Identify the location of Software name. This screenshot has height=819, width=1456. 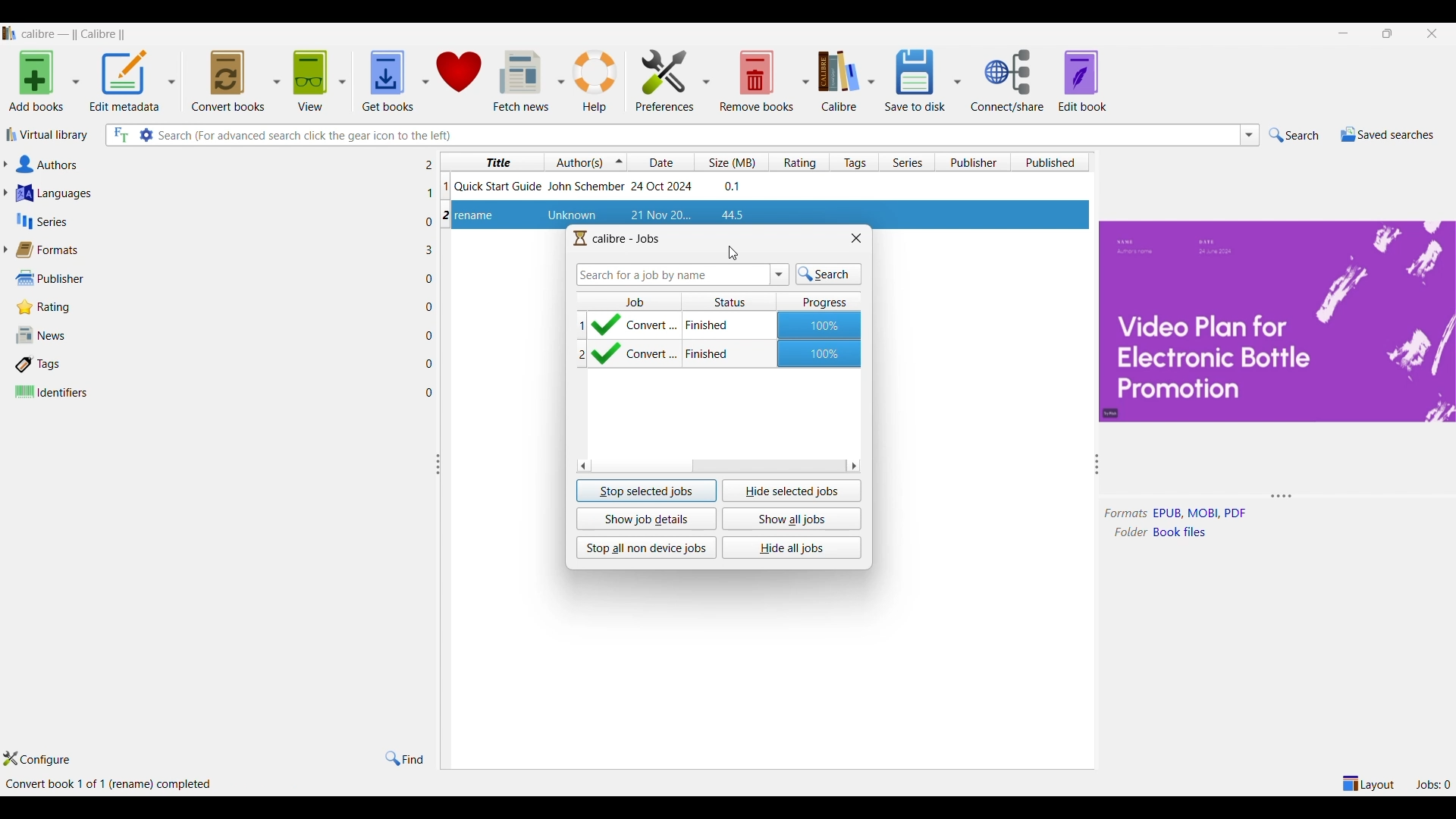
(77, 36).